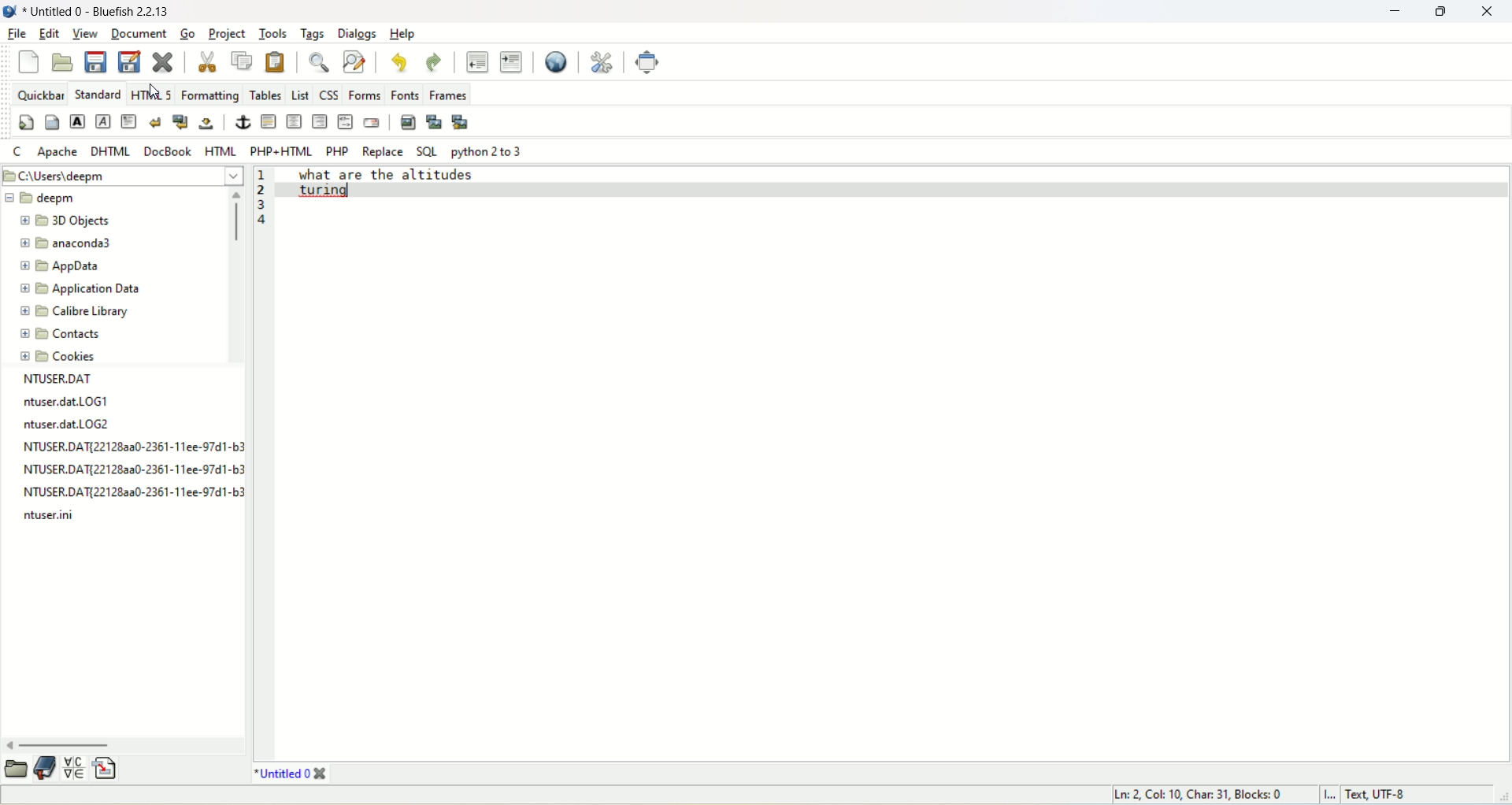 The image size is (1512, 805). Describe the element at coordinates (1331, 796) in the screenshot. I see `I` at that location.